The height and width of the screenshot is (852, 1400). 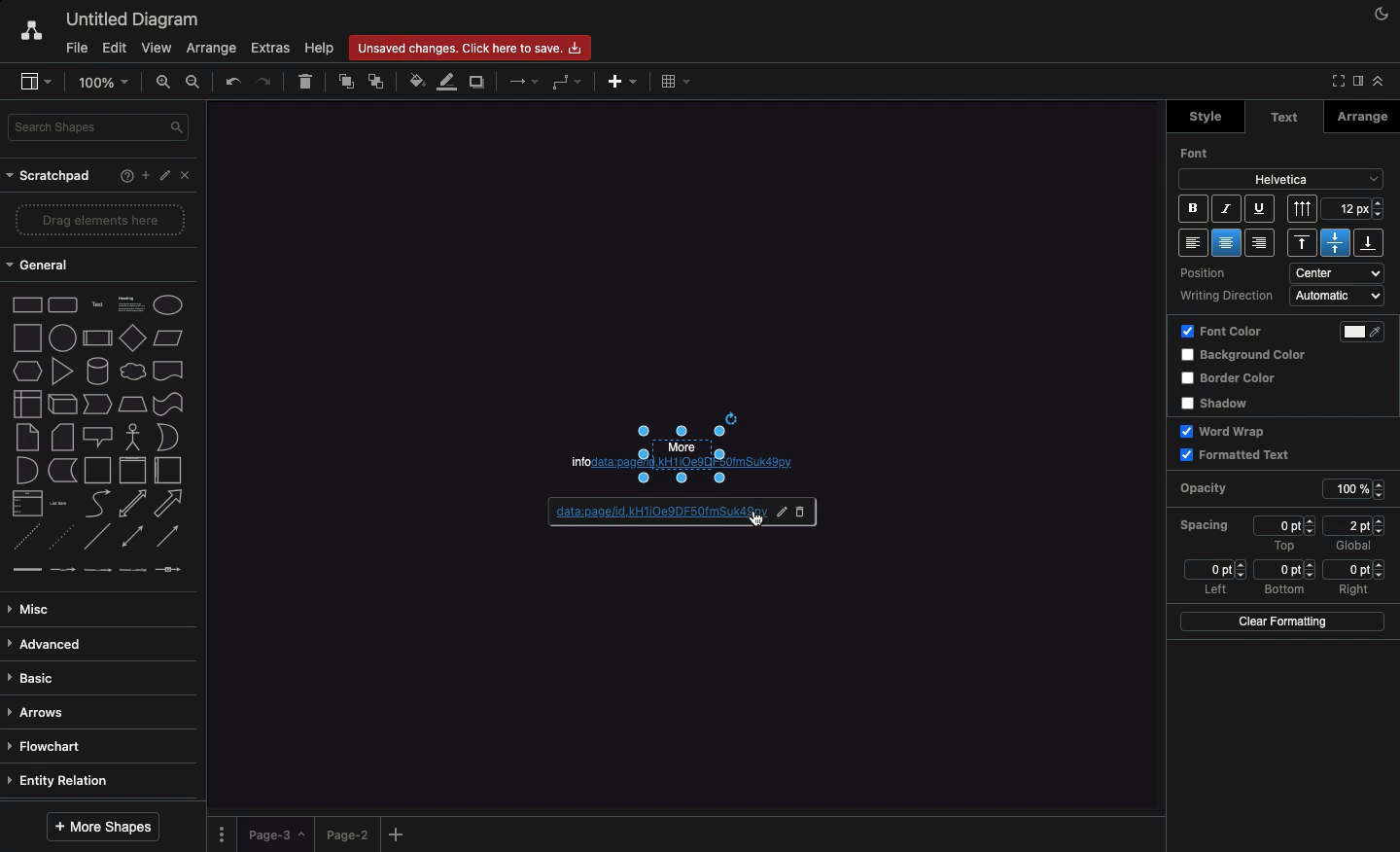 I want to click on callout, so click(x=98, y=438).